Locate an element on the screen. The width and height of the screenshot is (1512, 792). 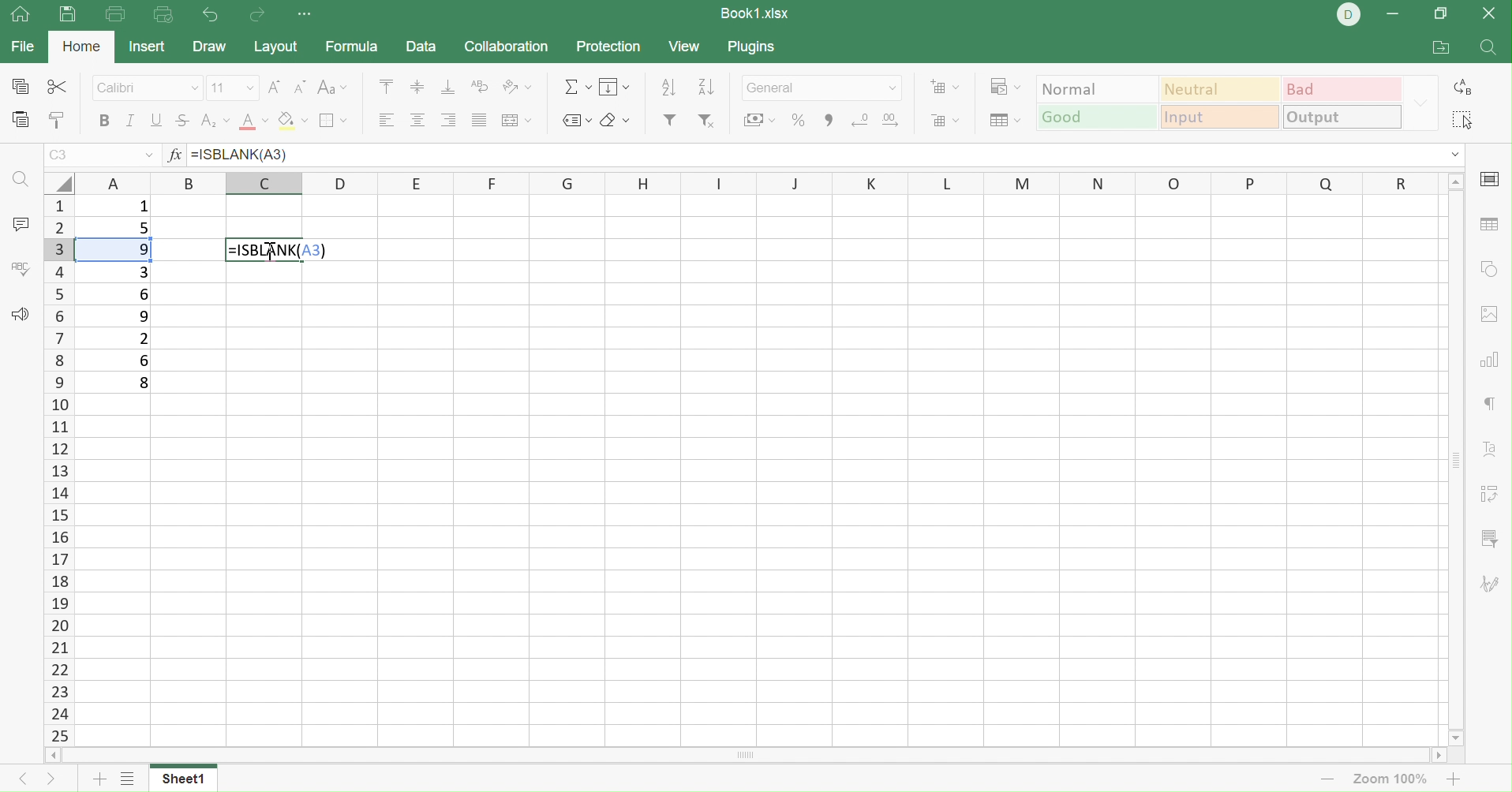
Normal is located at coordinates (1098, 87).